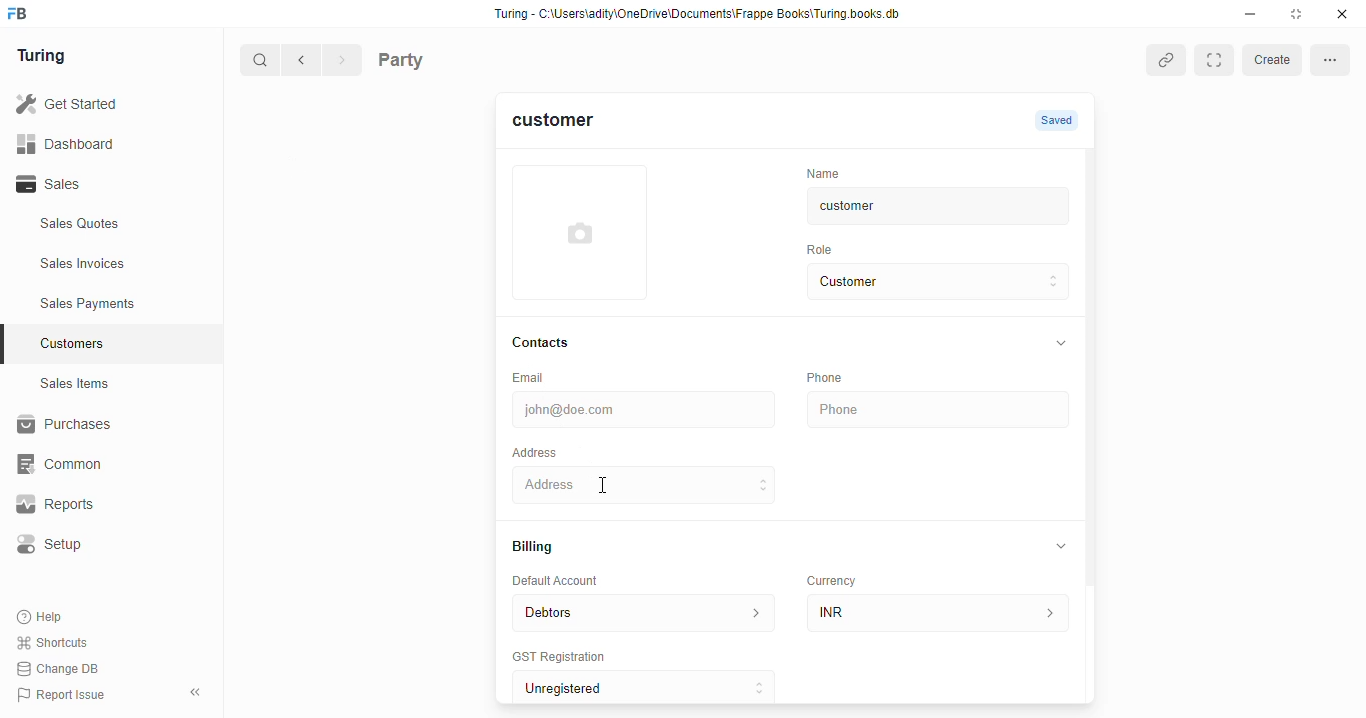 The width and height of the screenshot is (1366, 718). Describe the element at coordinates (123, 341) in the screenshot. I see `Customers` at that location.